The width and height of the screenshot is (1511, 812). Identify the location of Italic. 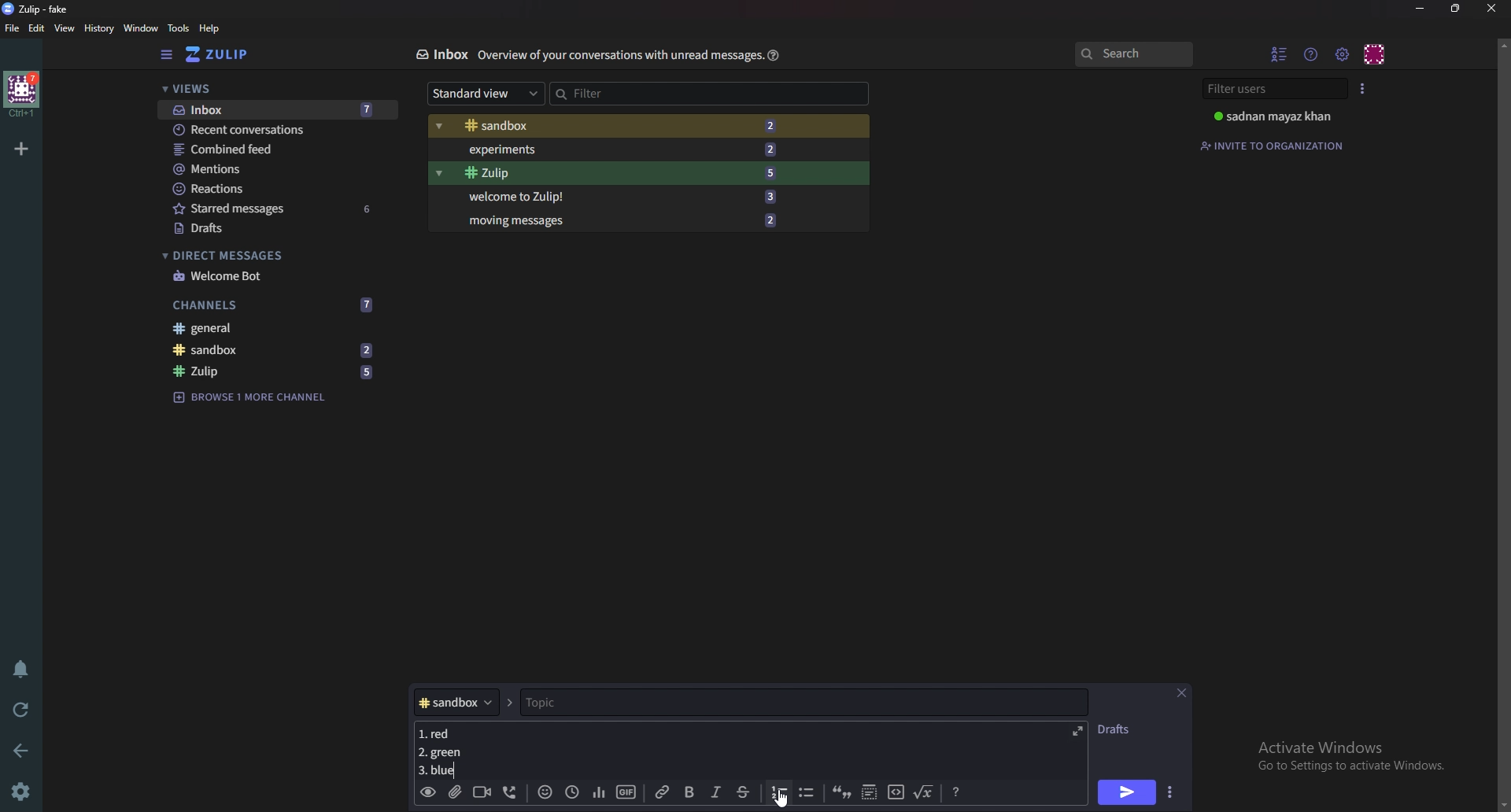
(715, 795).